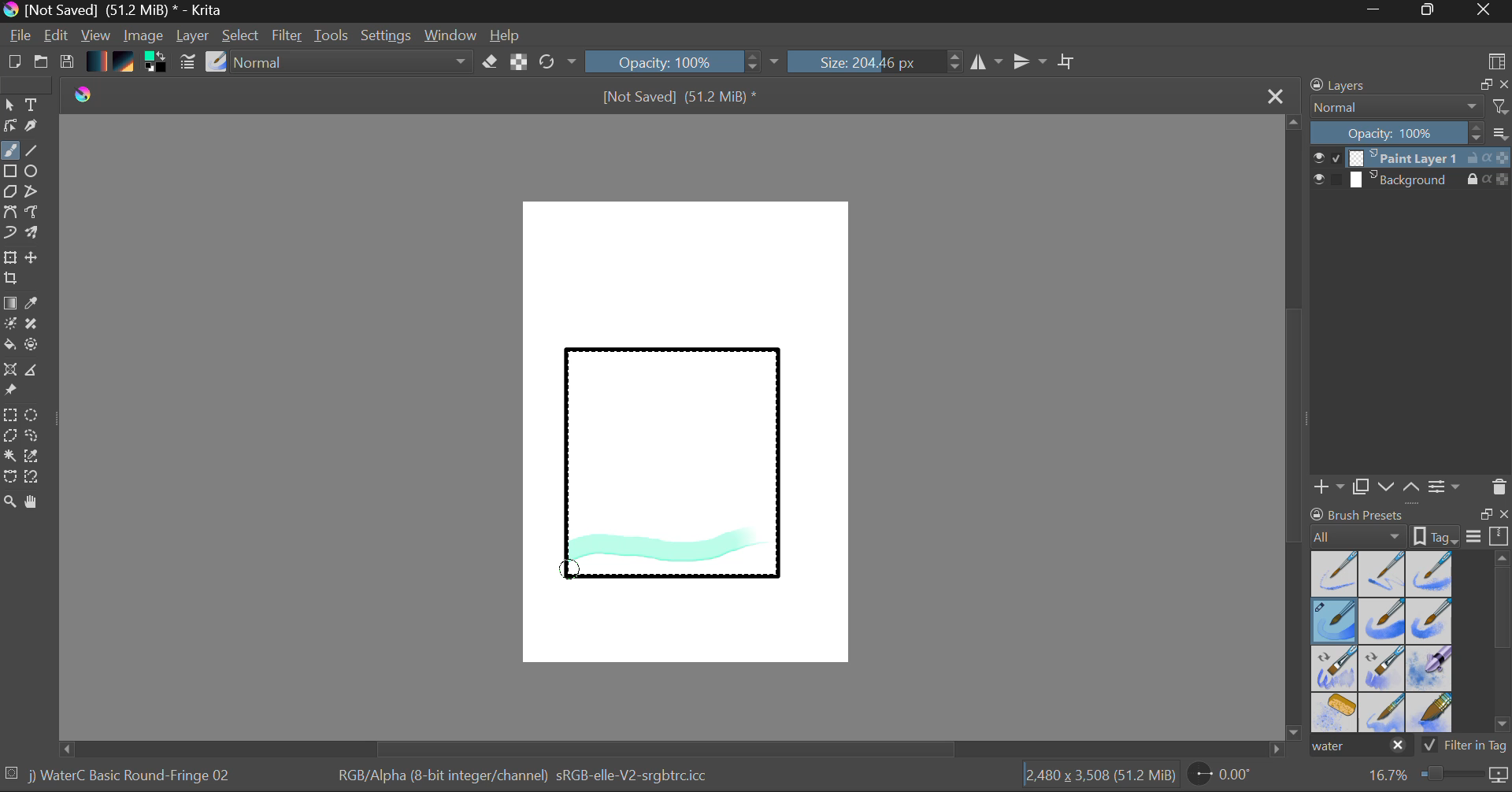 The width and height of the screenshot is (1512, 792). What do you see at coordinates (1362, 487) in the screenshot?
I see `Copy Layer` at bounding box center [1362, 487].